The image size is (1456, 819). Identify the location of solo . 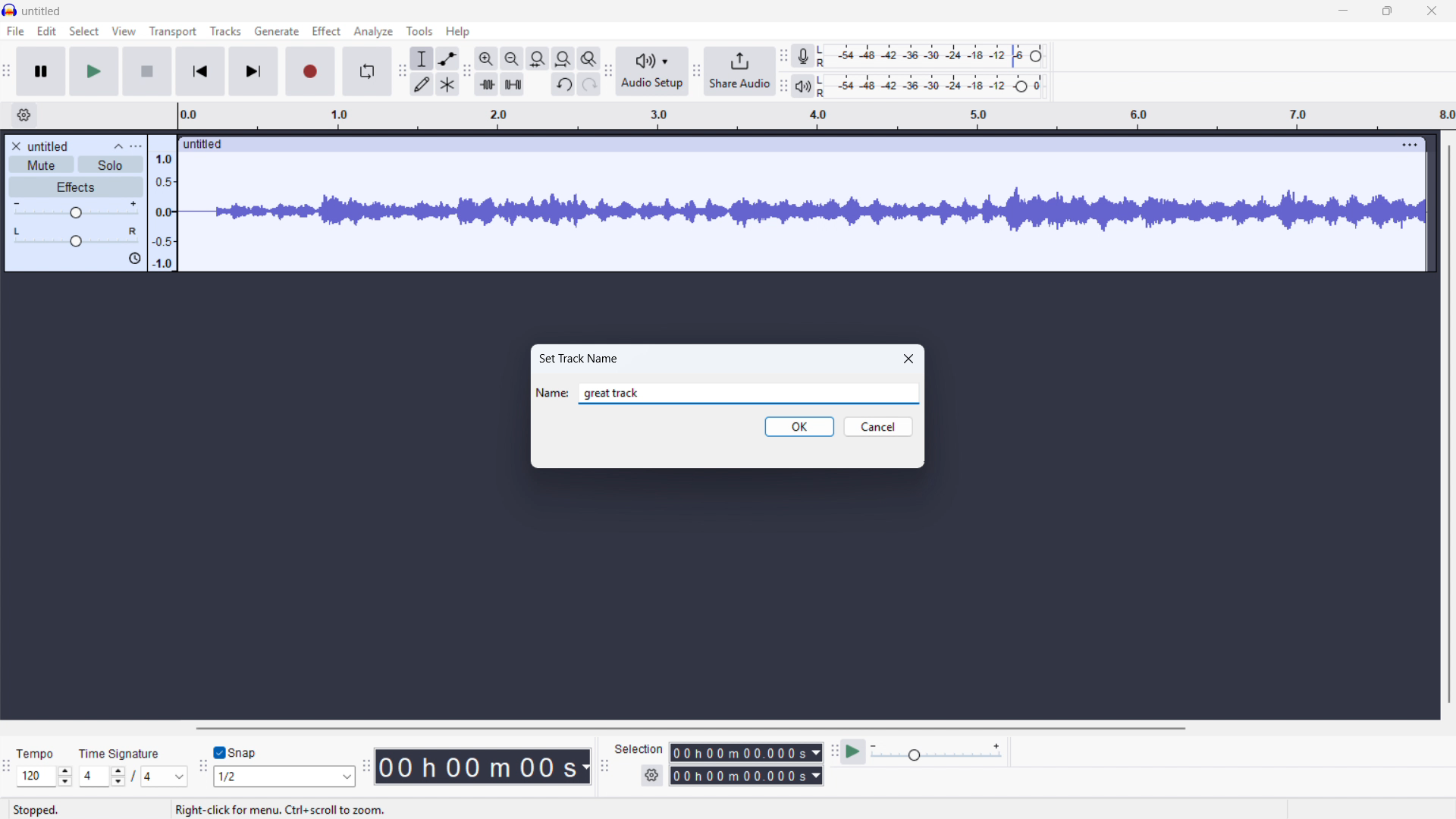
(111, 165).